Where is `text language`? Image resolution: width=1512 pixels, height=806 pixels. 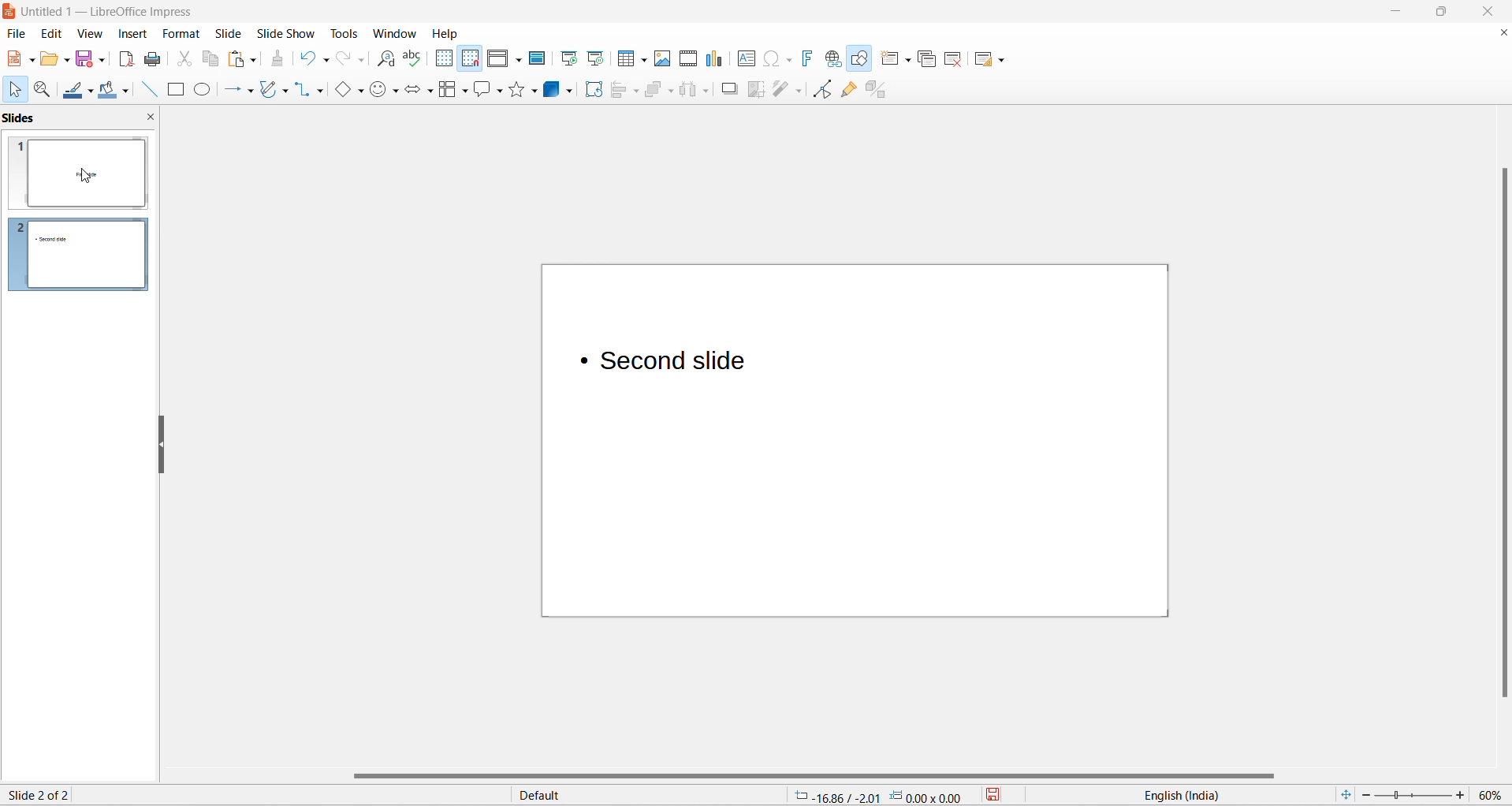
text language is located at coordinates (1168, 793).